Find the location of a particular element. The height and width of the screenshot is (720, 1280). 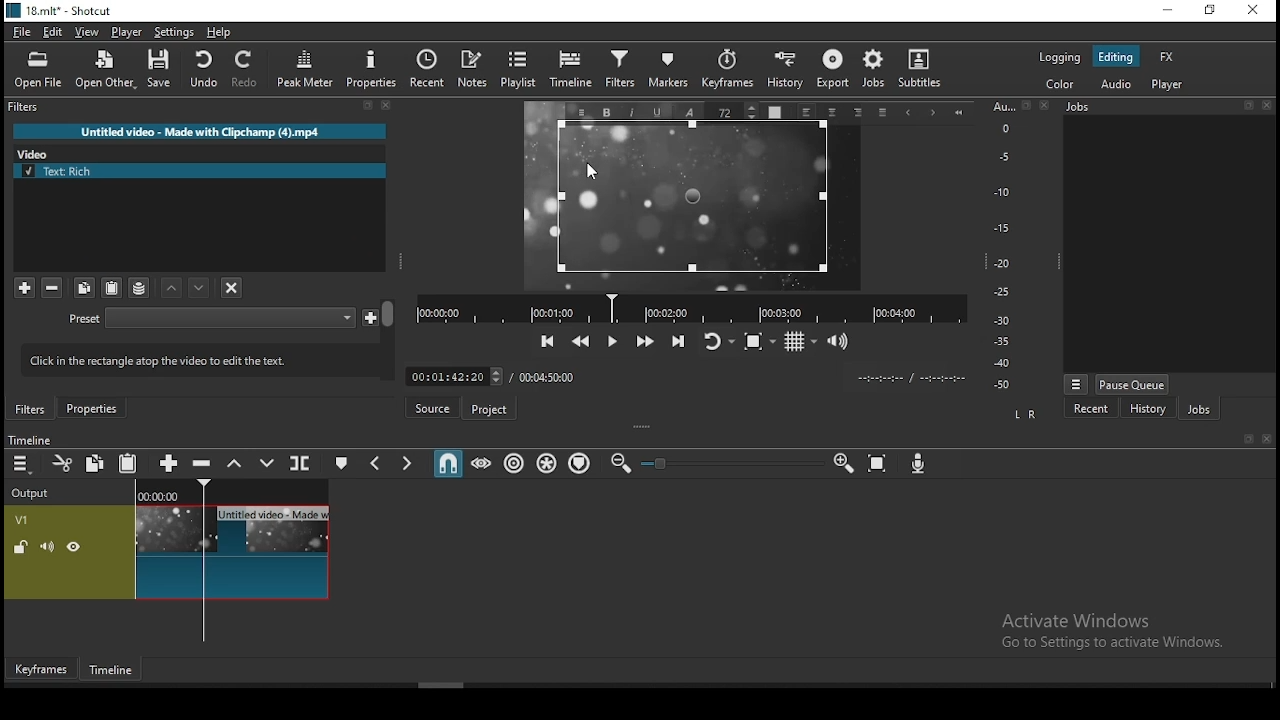

open file is located at coordinates (38, 71).